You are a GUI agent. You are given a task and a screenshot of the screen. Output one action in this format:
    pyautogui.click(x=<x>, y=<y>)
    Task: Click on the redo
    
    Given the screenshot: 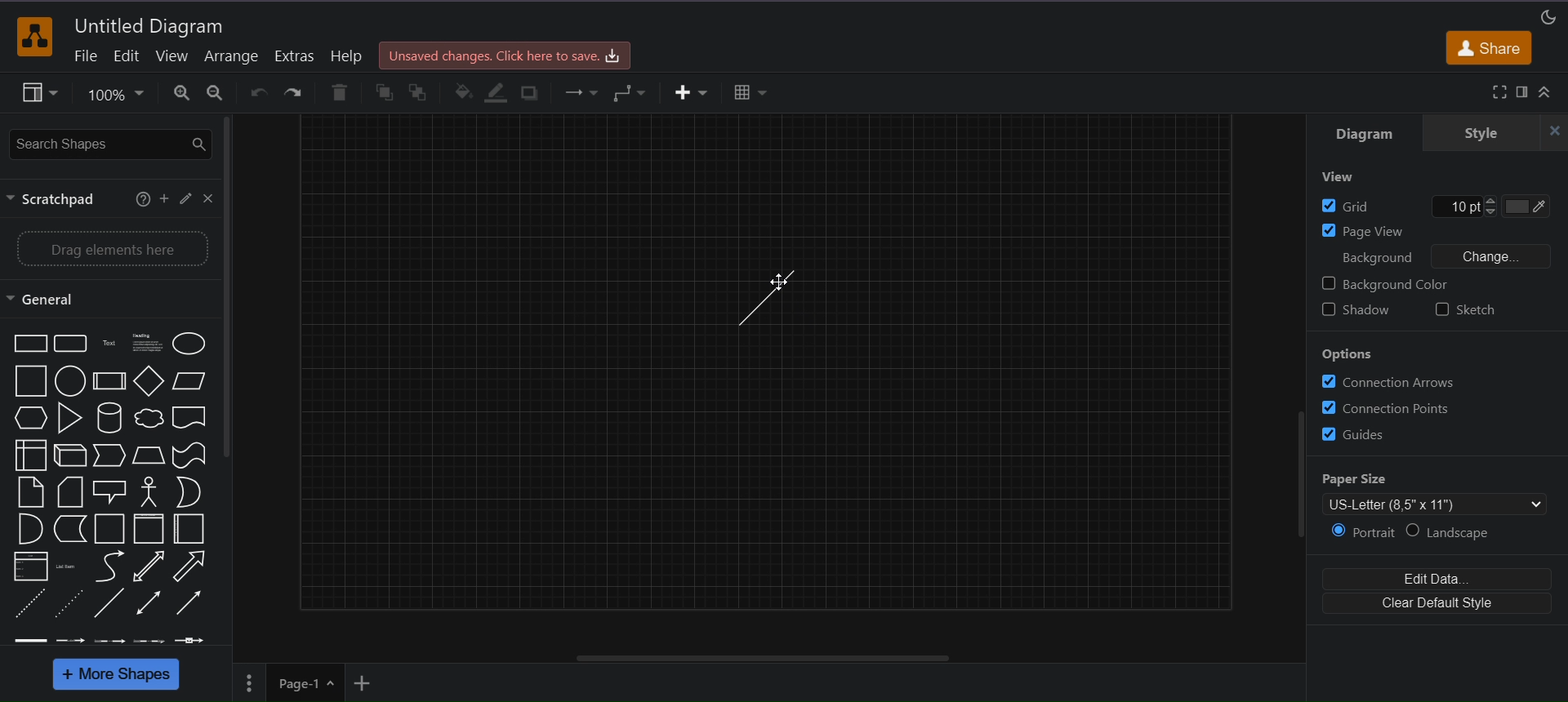 What is the action you would take?
    pyautogui.click(x=295, y=91)
    